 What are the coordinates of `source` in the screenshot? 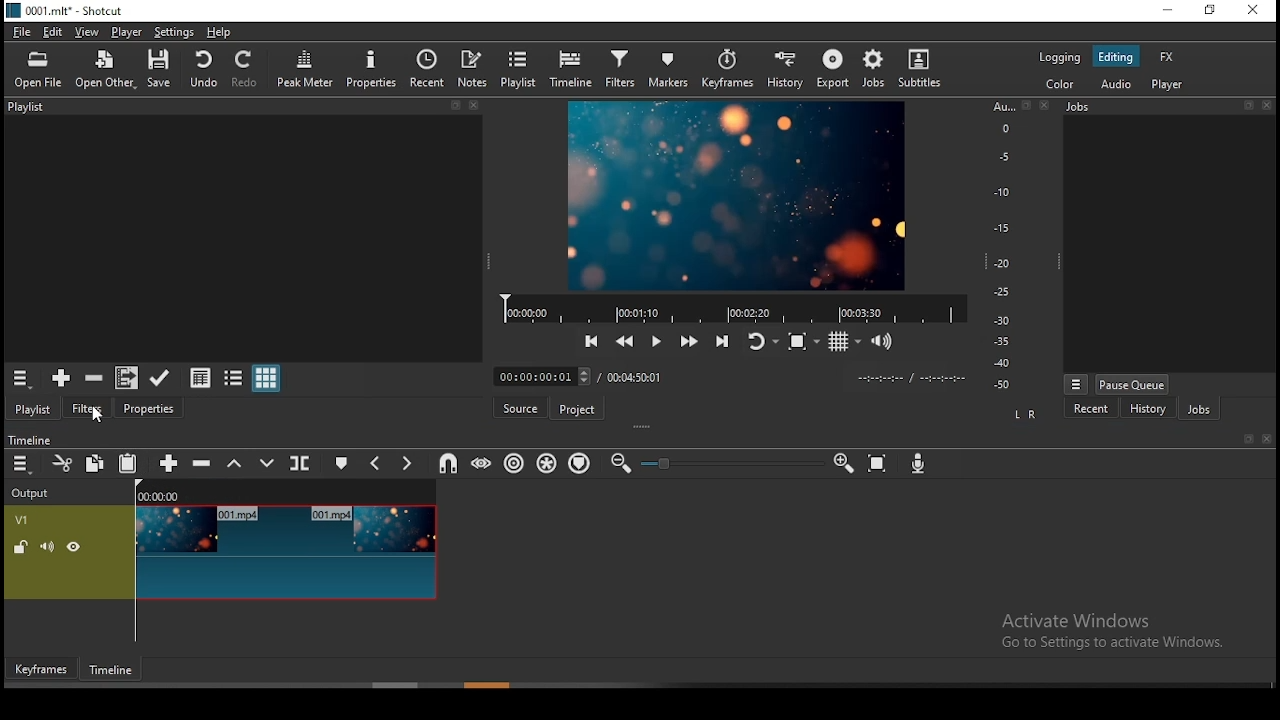 It's located at (519, 406).